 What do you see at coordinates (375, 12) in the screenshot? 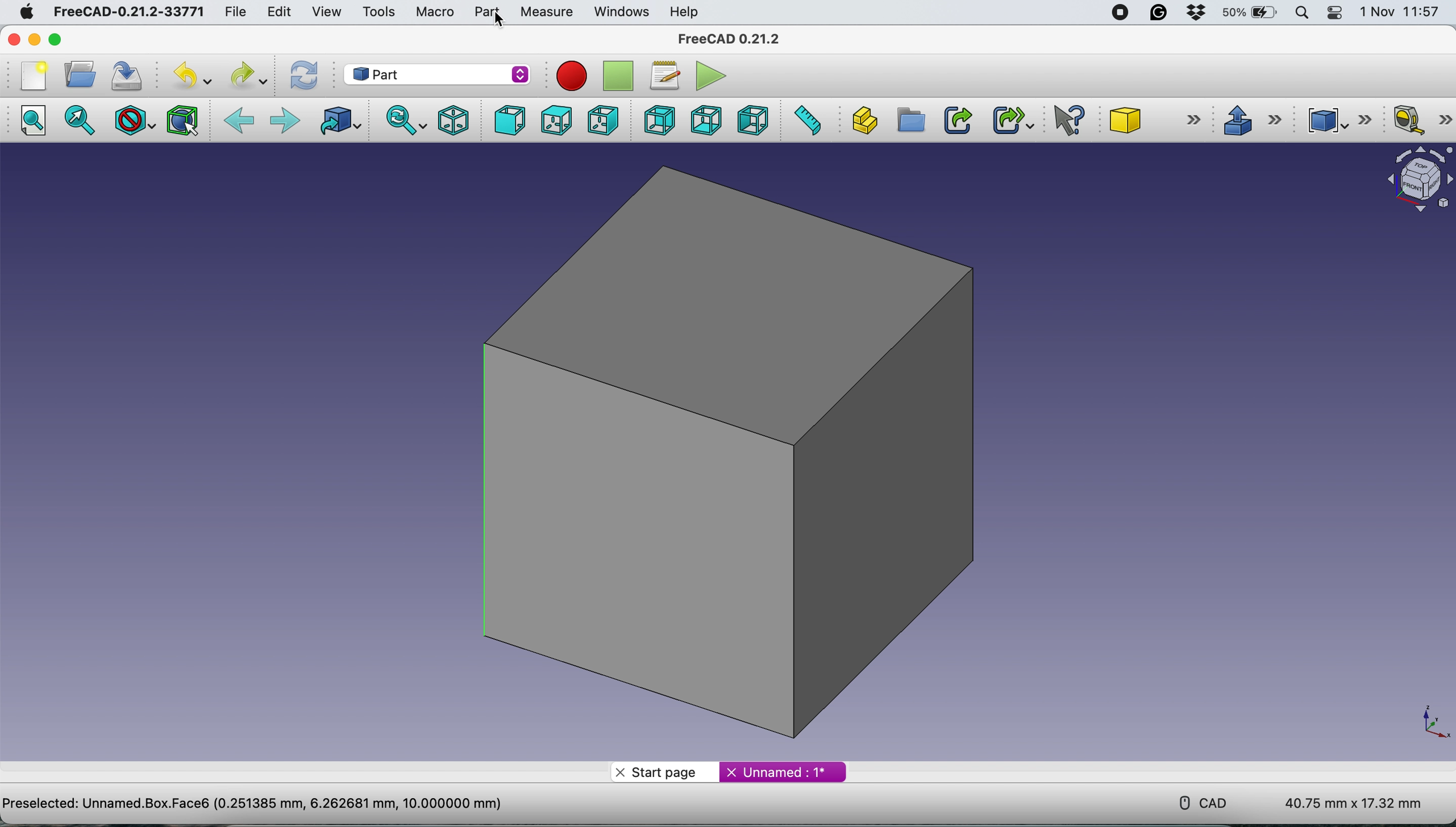
I see `tools` at bounding box center [375, 12].